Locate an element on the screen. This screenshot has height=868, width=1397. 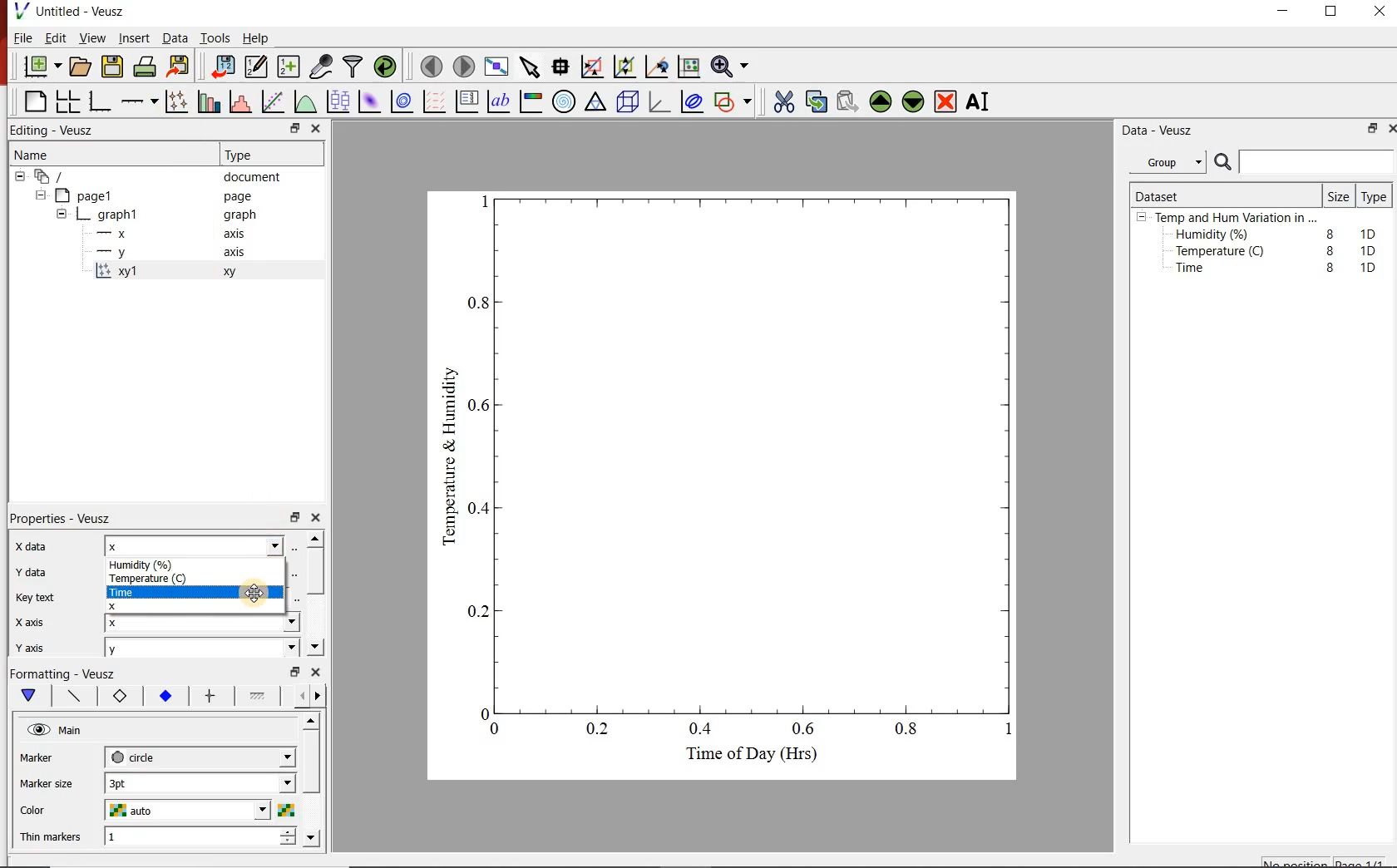
view plot full screen is located at coordinates (497, 67).